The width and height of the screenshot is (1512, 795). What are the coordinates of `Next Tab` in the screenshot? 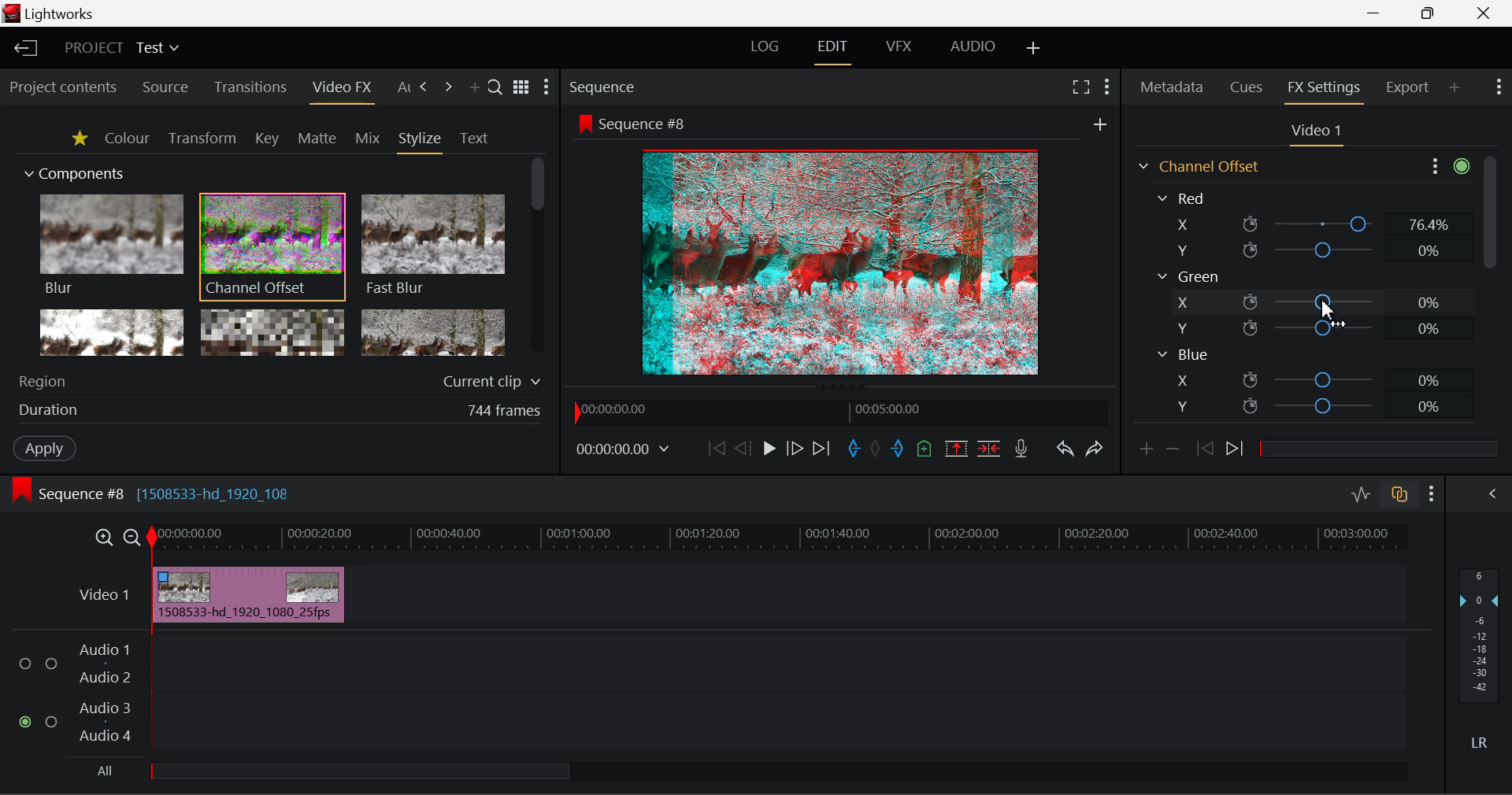 It's located at (448, 87).